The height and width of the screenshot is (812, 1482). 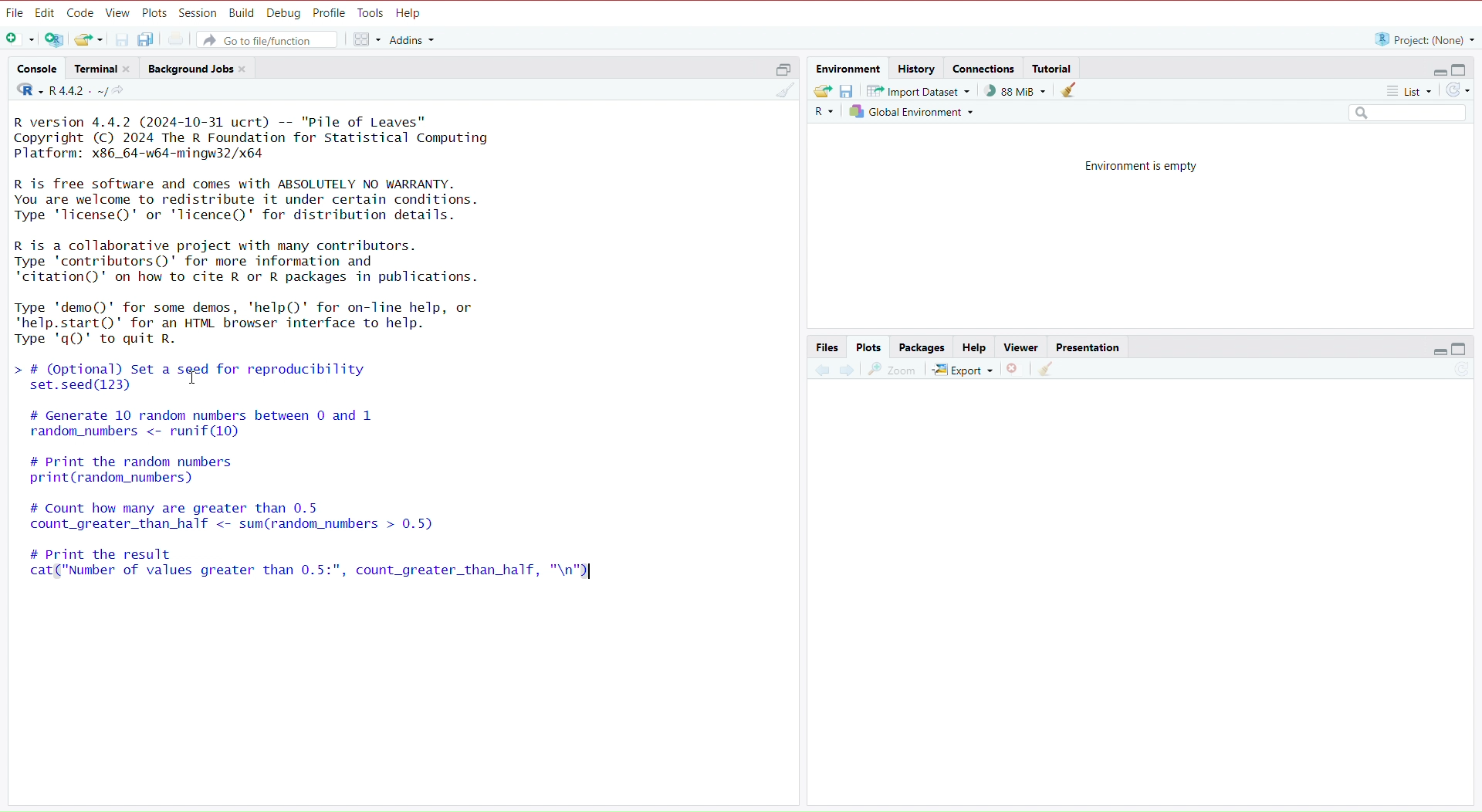 I want to click on Connections, so click(x=983, y=66).